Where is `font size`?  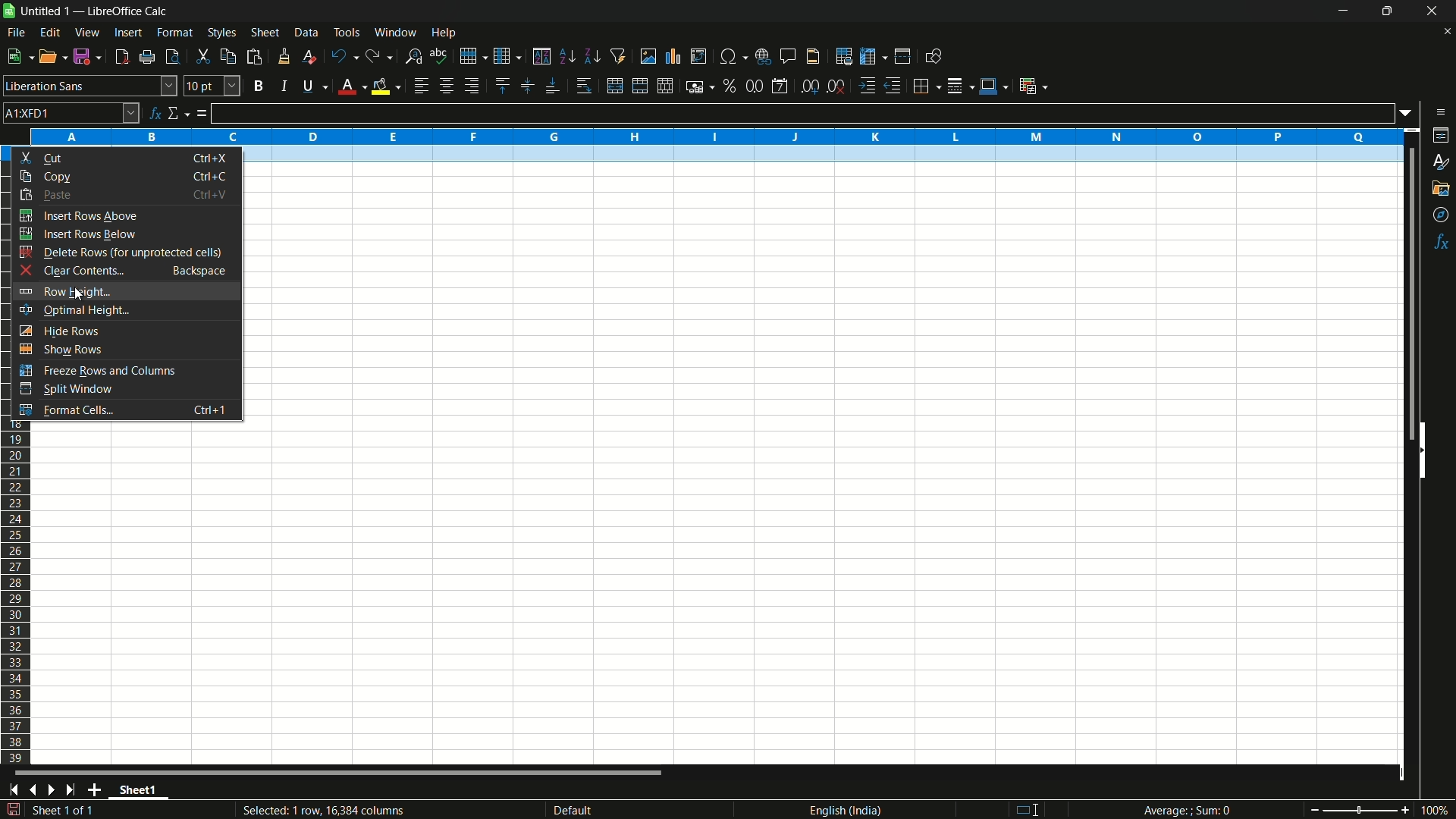 font size is located at coordinates (212, 86).